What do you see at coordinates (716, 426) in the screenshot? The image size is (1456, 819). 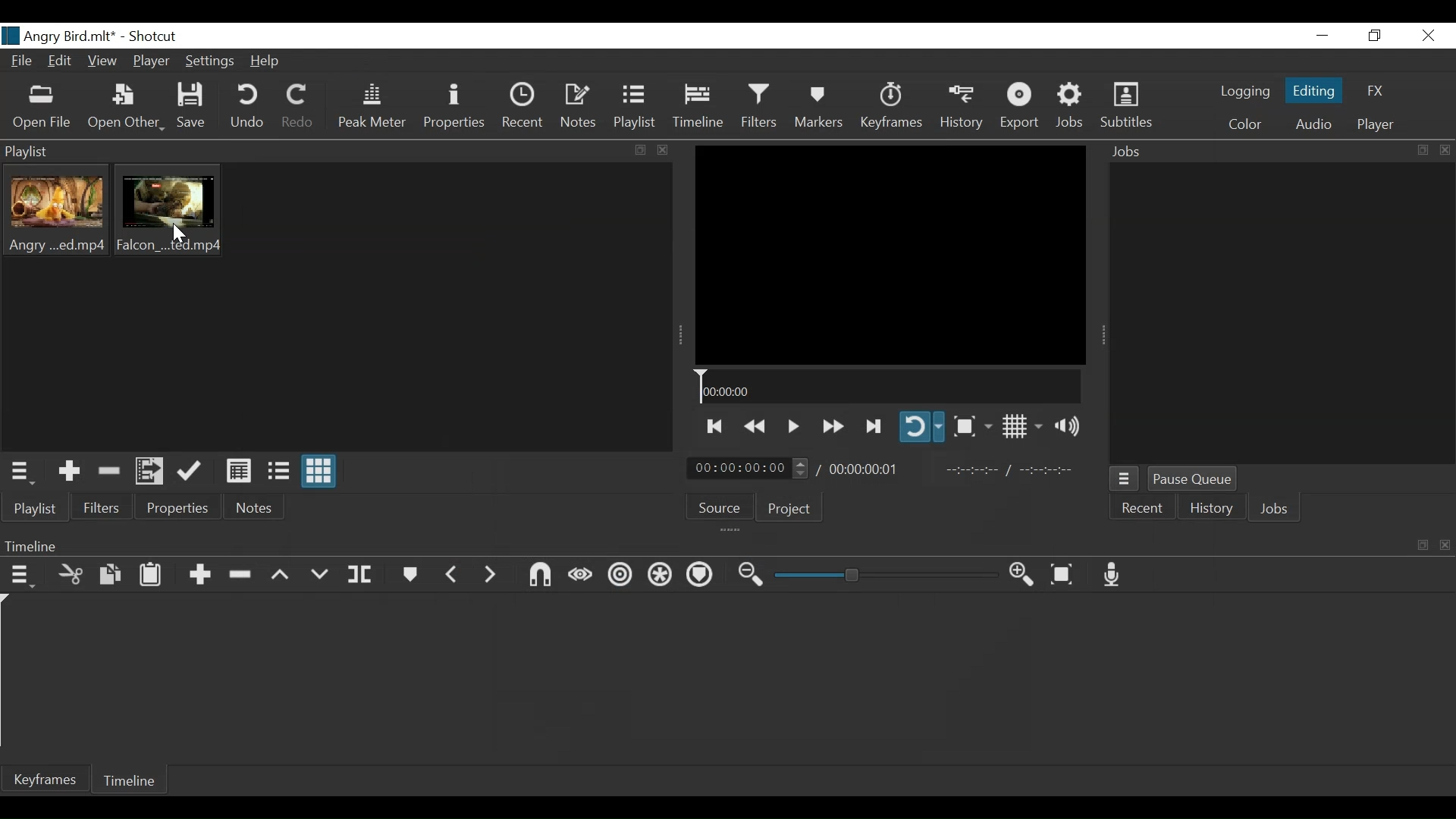 I see `Skip to the previous point` at bounding box center [716, 426].